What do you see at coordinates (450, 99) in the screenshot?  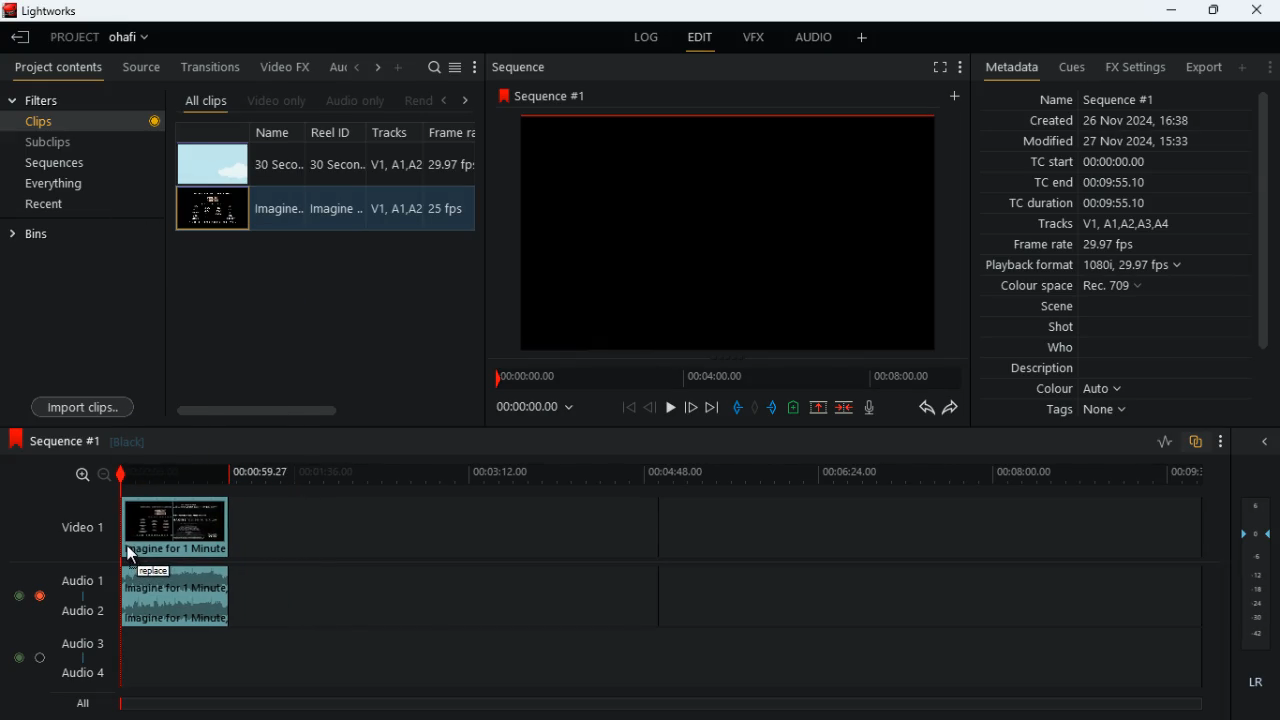 I see `left` at bounding box center [450, 99].